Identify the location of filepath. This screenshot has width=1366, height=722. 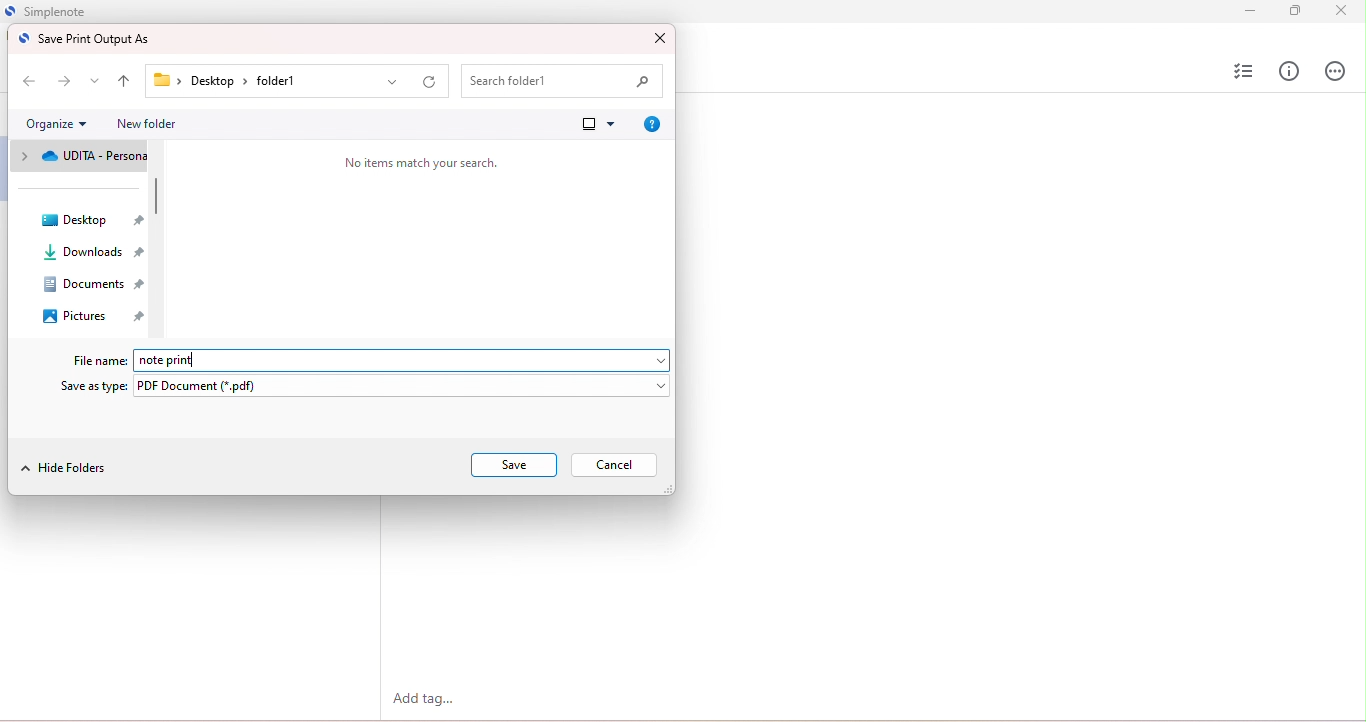
(235, 82).